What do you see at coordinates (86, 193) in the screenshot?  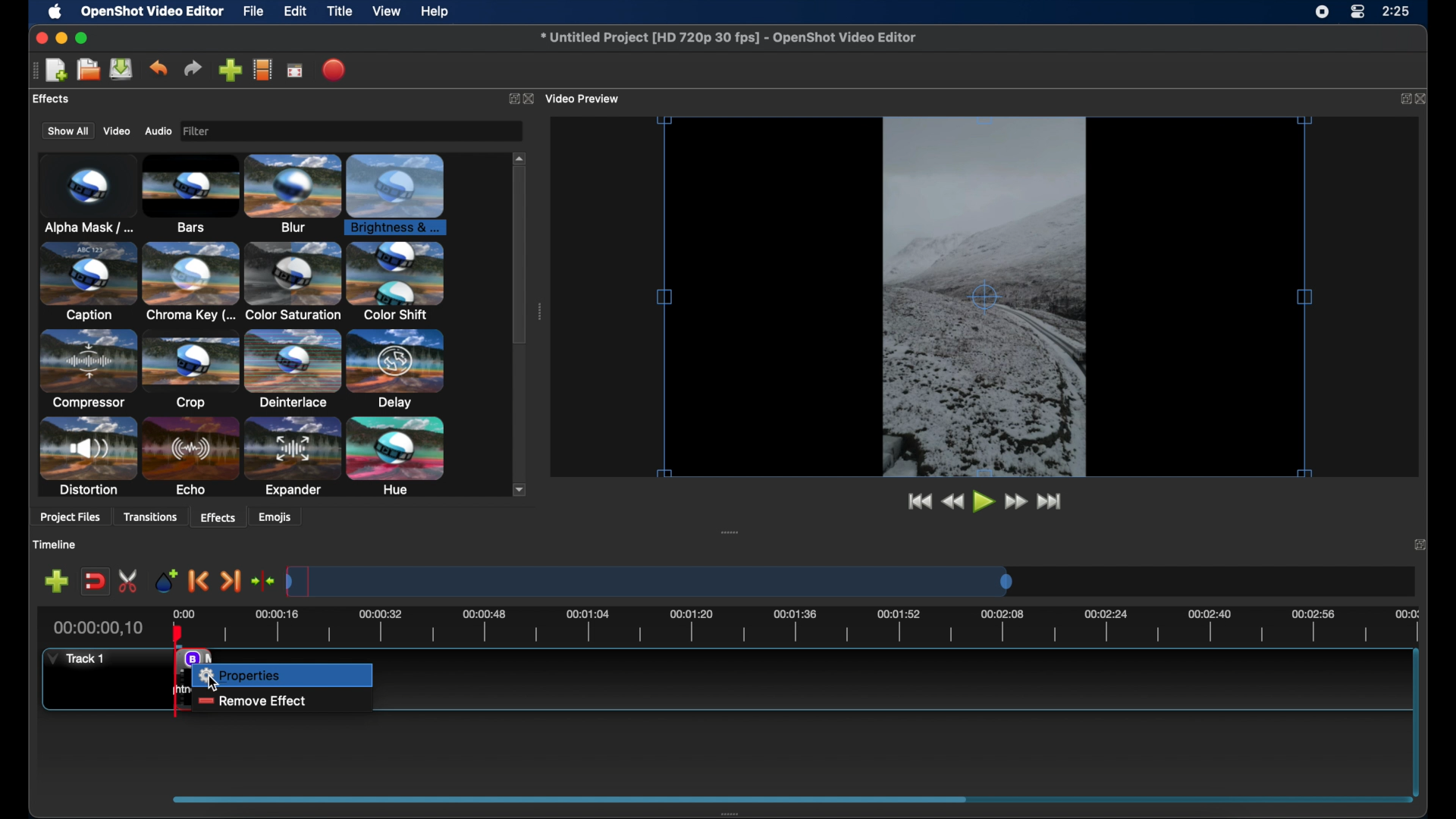 I see `alpha mask` at bounding box center [86, 193].